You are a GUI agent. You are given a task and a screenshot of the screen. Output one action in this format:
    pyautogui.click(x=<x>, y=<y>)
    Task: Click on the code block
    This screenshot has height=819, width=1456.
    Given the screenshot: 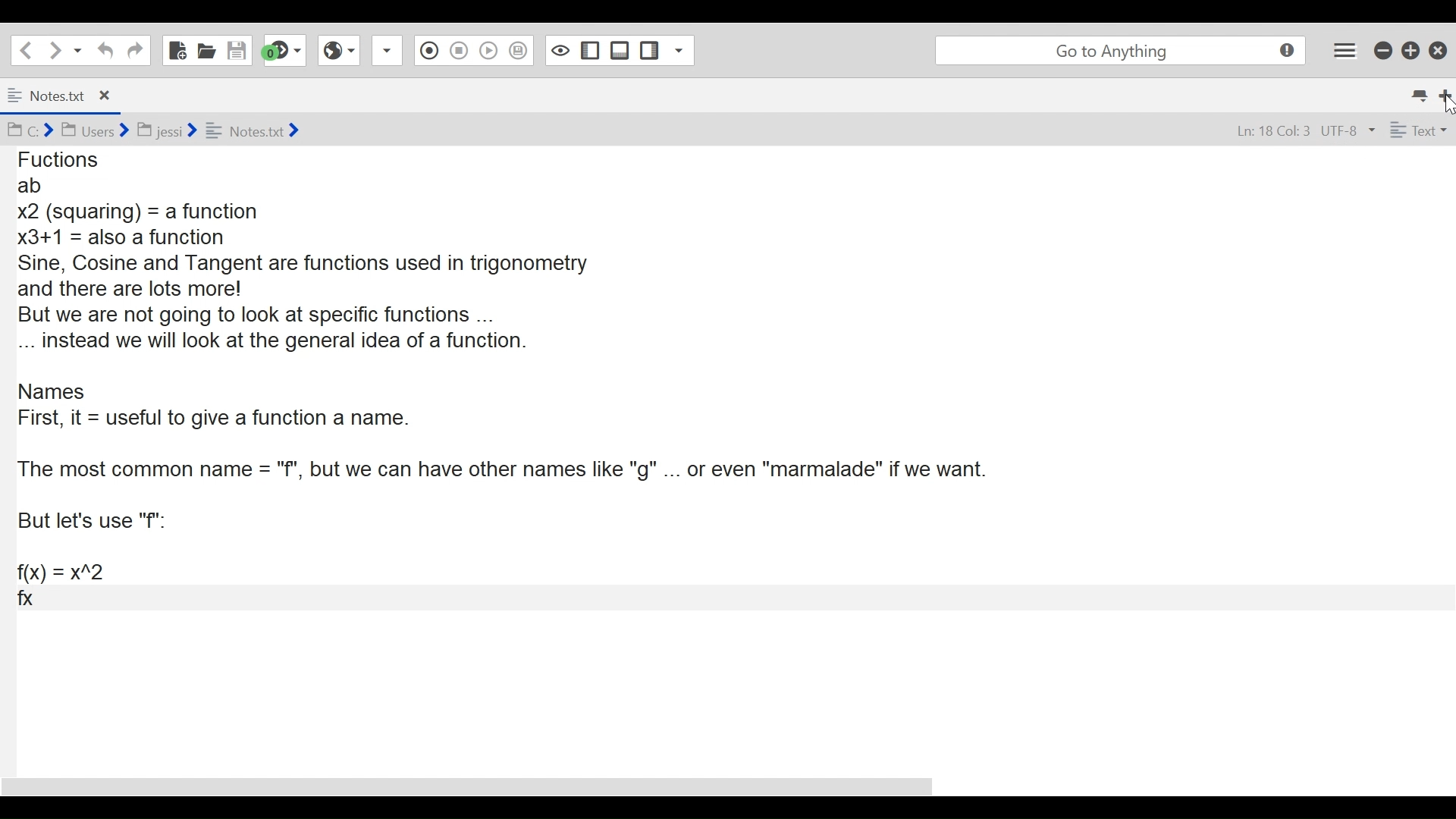 What is the action you would take?
    pyautogui.click(x=725, y=458)
    